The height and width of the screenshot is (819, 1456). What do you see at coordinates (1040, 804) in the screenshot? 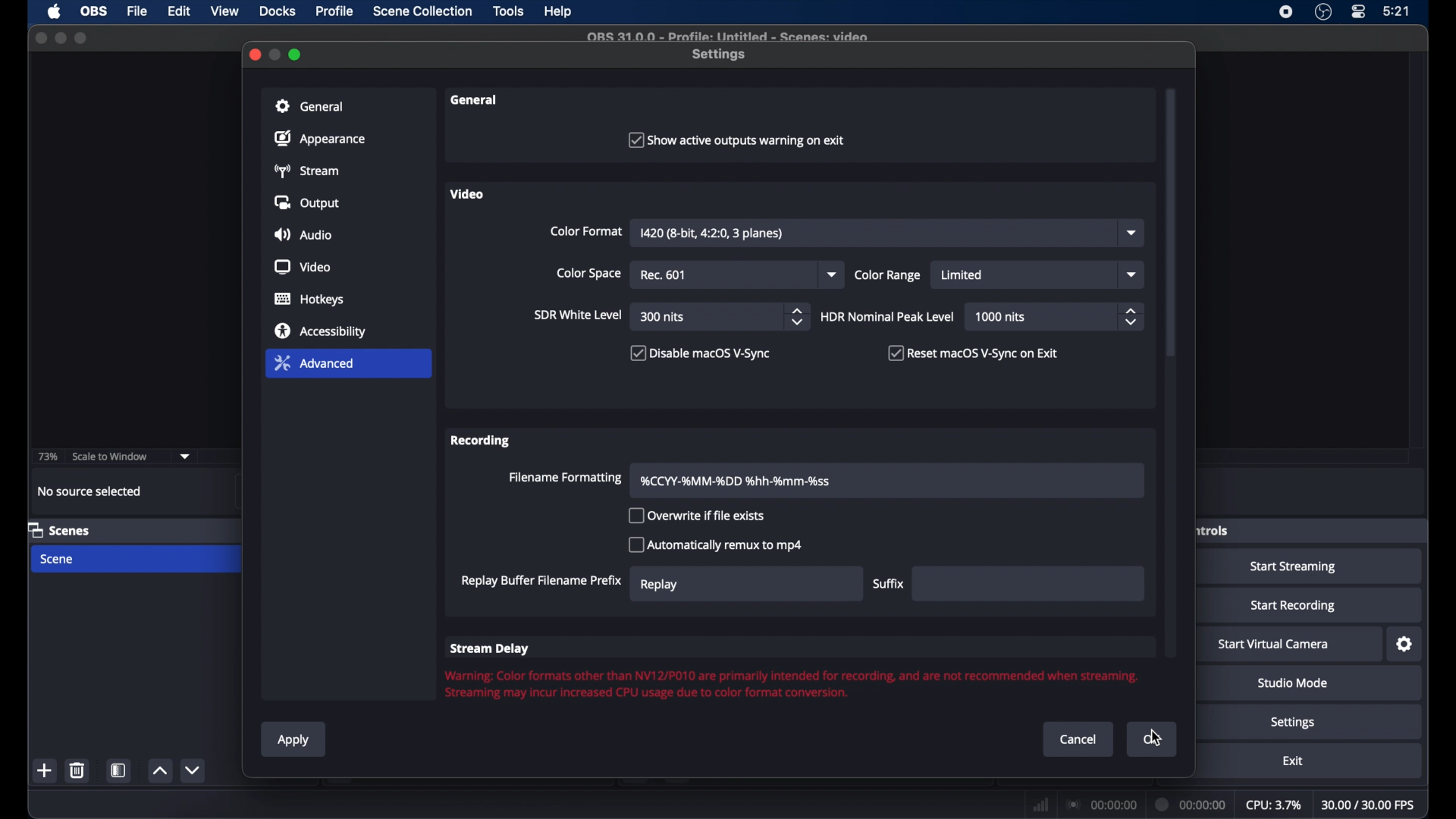
I see `network` at bounding box center [1040, 804].